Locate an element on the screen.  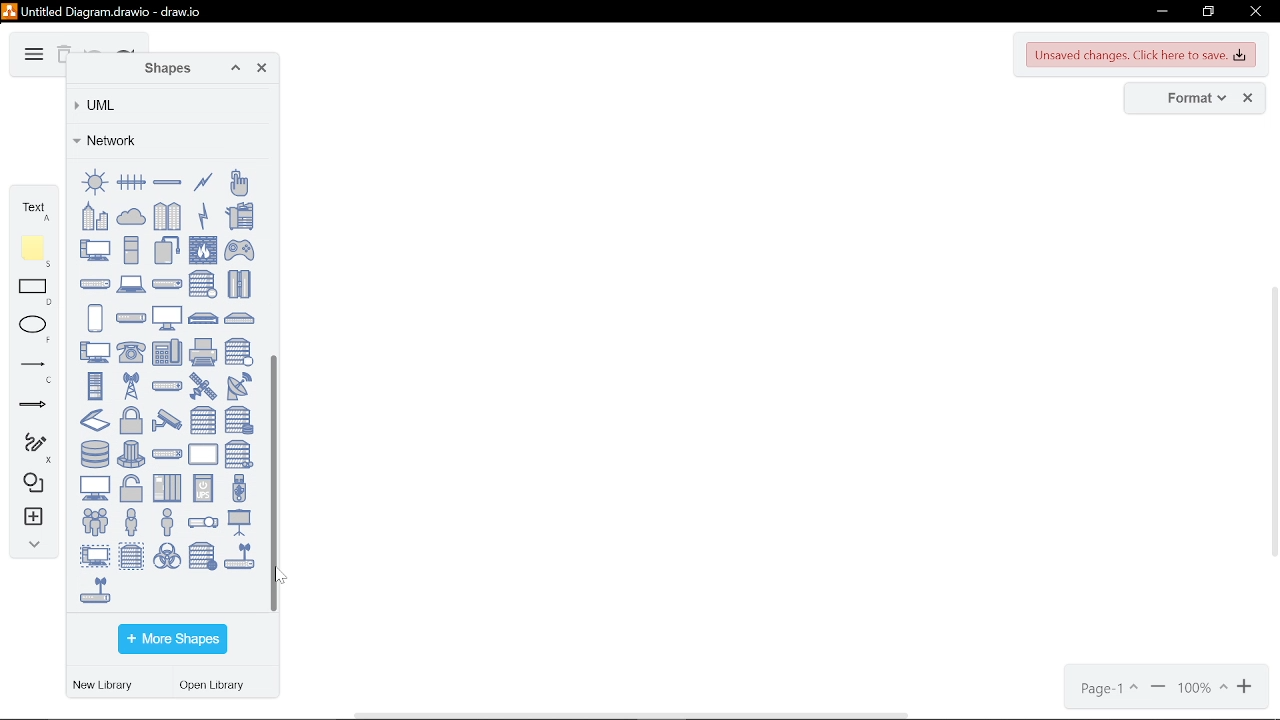
lines is located at coordinates (33, 371).